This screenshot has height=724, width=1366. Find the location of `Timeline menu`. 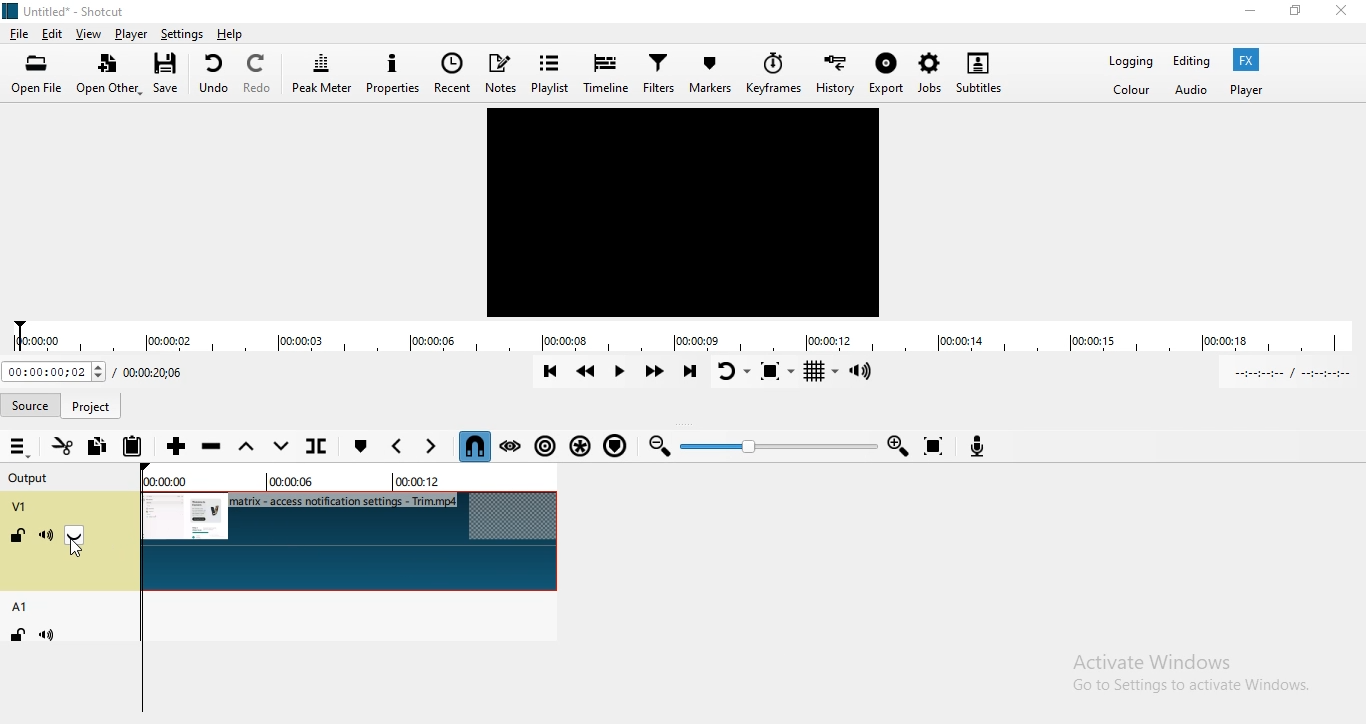

Timeline menu is located at coordinates (19, 447).